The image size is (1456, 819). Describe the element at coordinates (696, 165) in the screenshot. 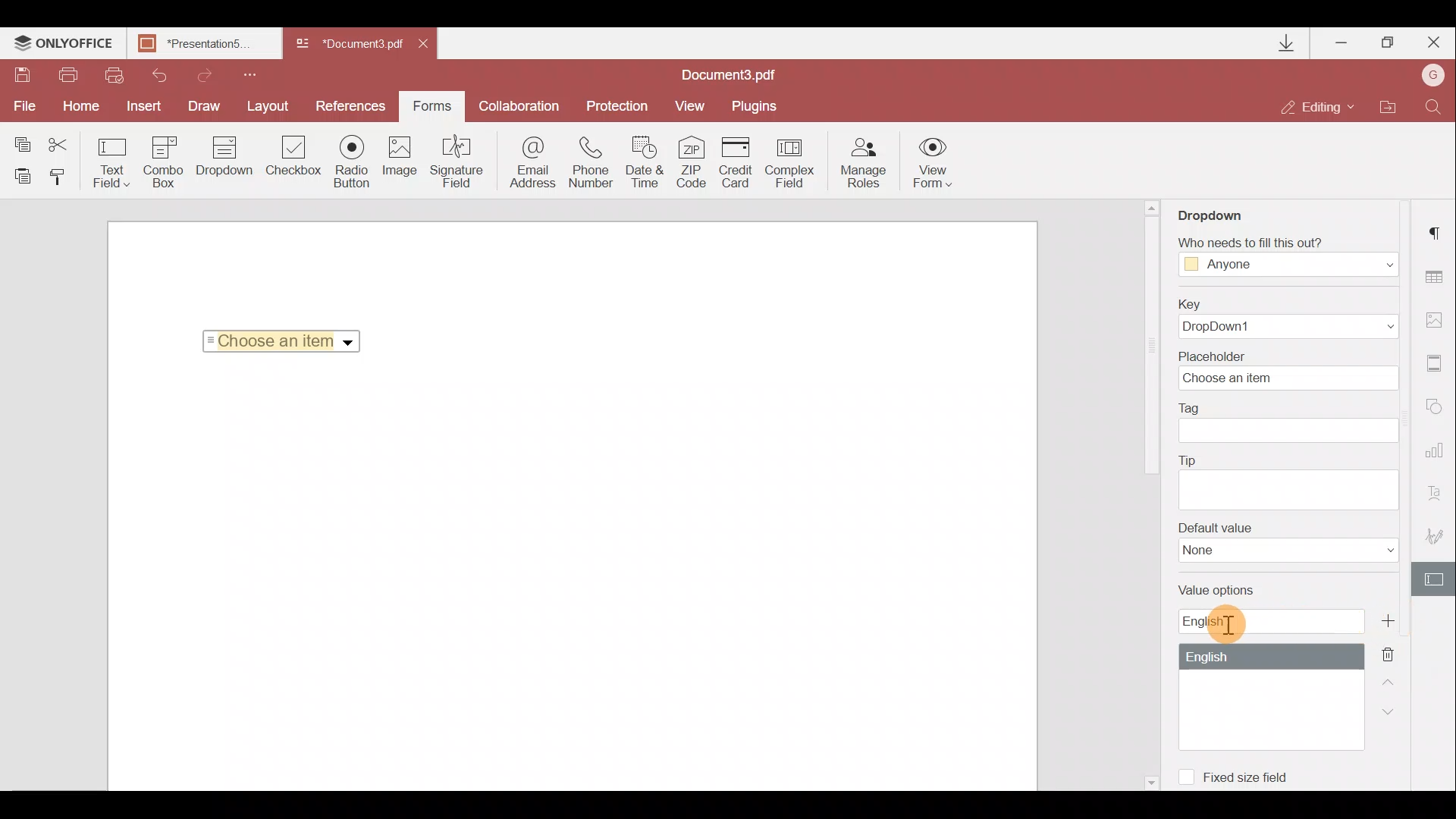

I see `ZIP code` at that location.